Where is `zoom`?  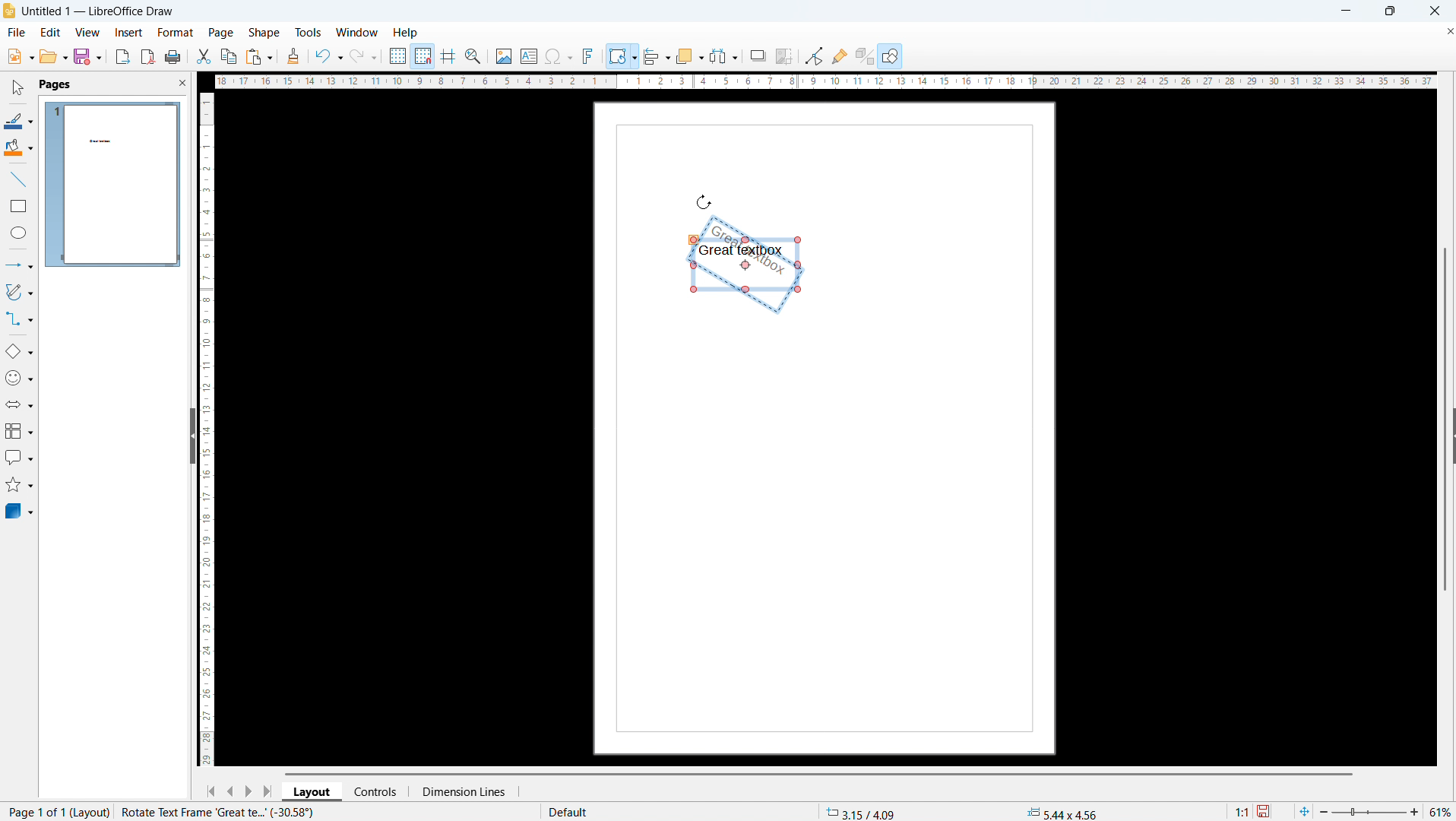
zoom is located at coordinates (474, 56).